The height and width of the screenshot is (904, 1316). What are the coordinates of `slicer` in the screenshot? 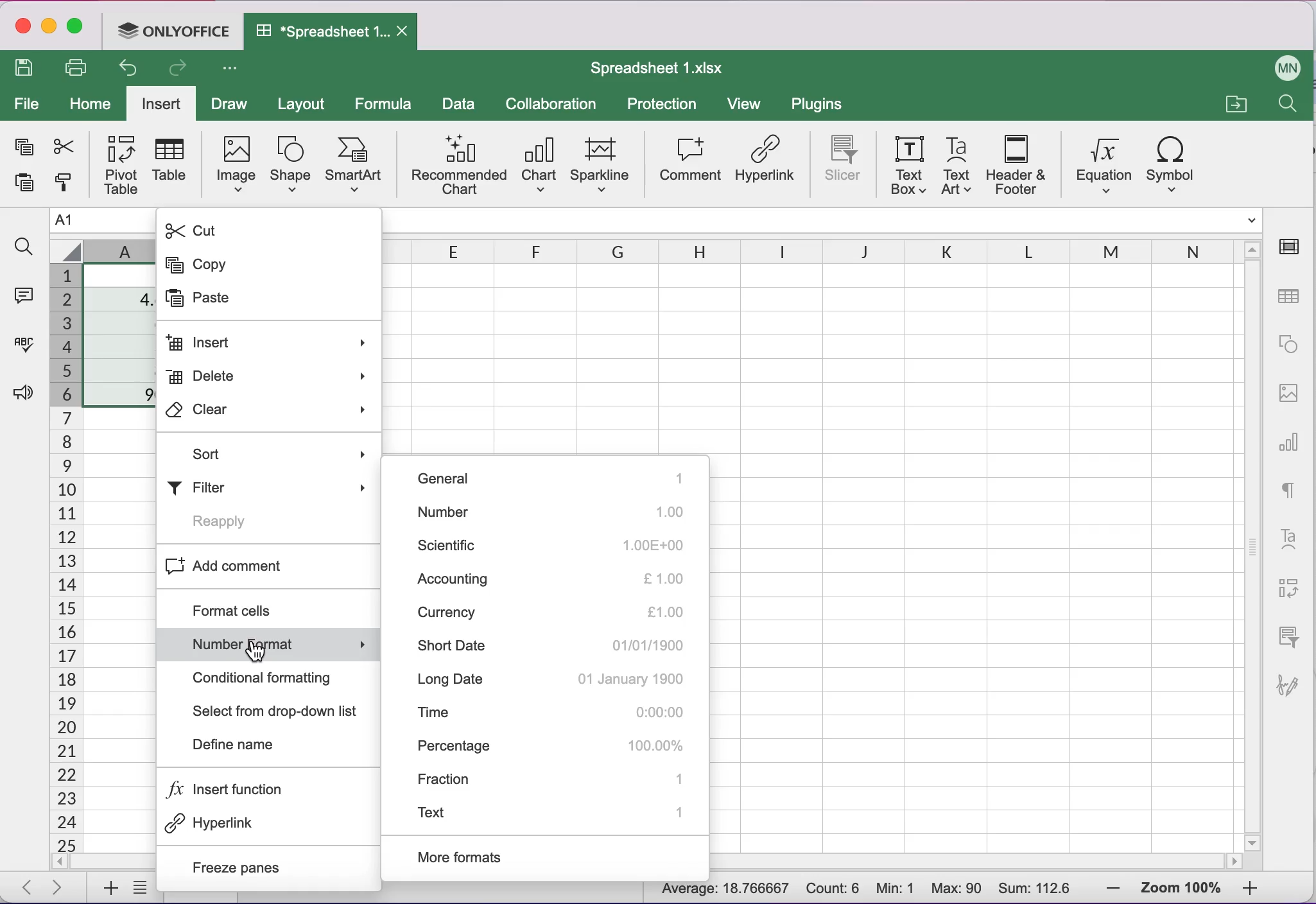 It's located at (839, 161).